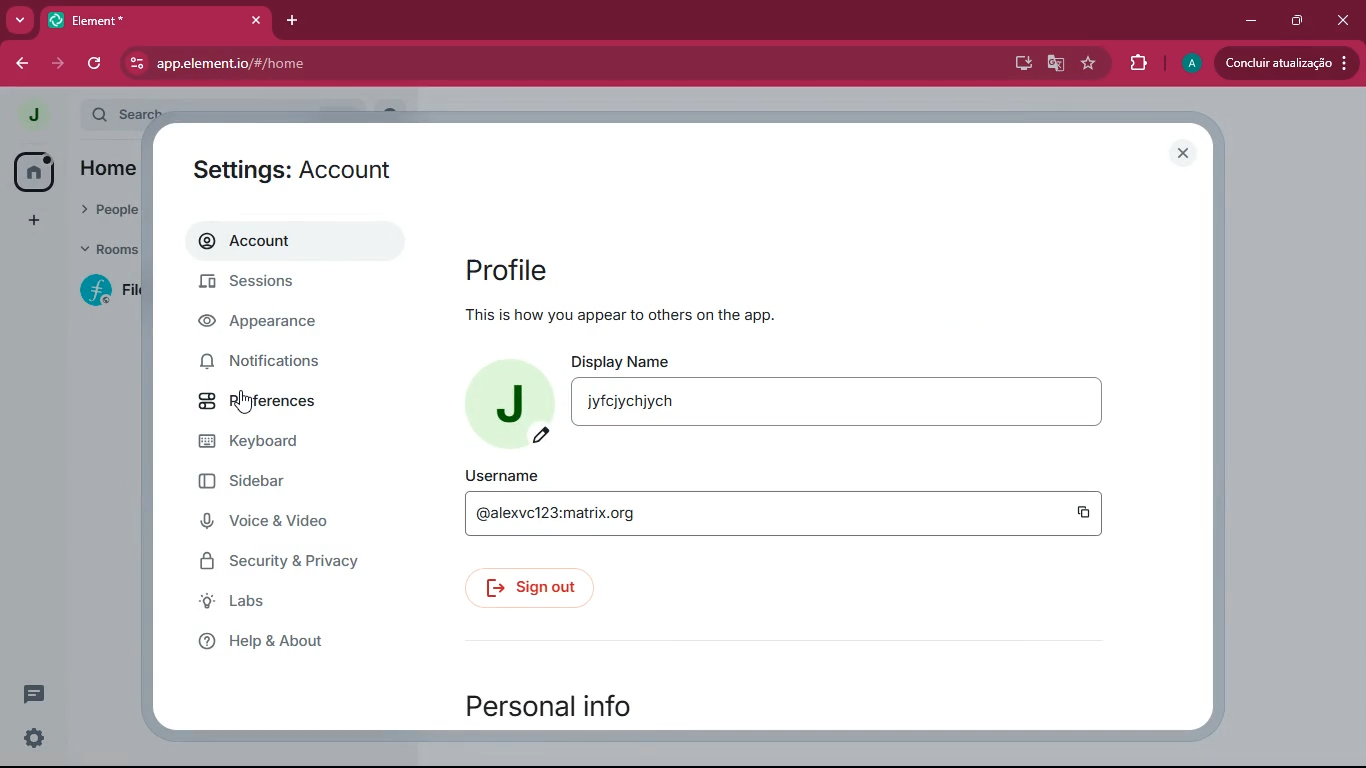  Describe the element at coordinates (280, 363) in the screenshot. I see `notifications` at that location.